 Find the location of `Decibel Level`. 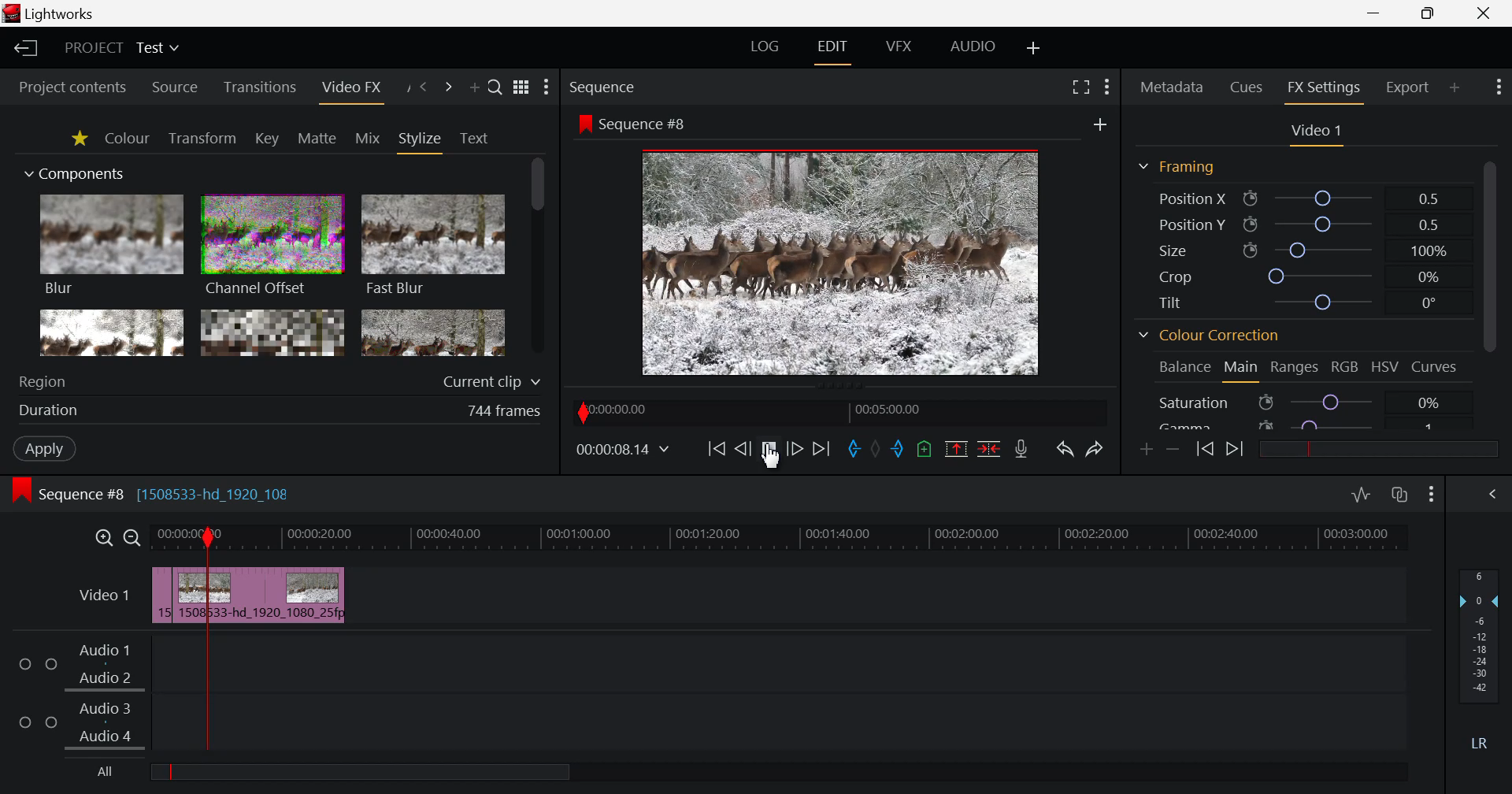

Decibel Level is located at coordinates (1480, 655).